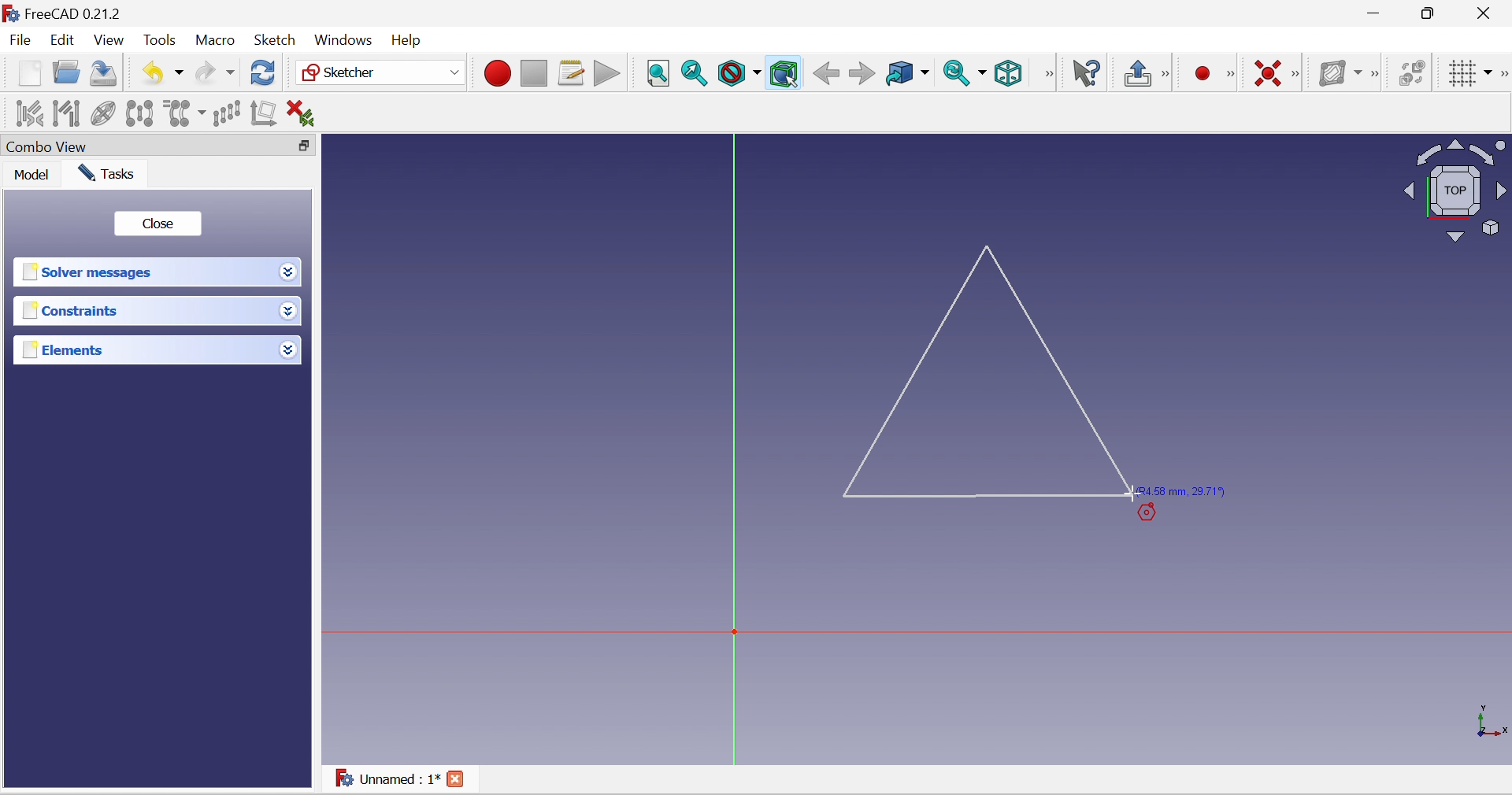 The height and width of the screenshot is (795, 1512). Describe the element at coordinates (1171, 75) in the screenshot. I see `[Sketcher edit mode]` at that location.